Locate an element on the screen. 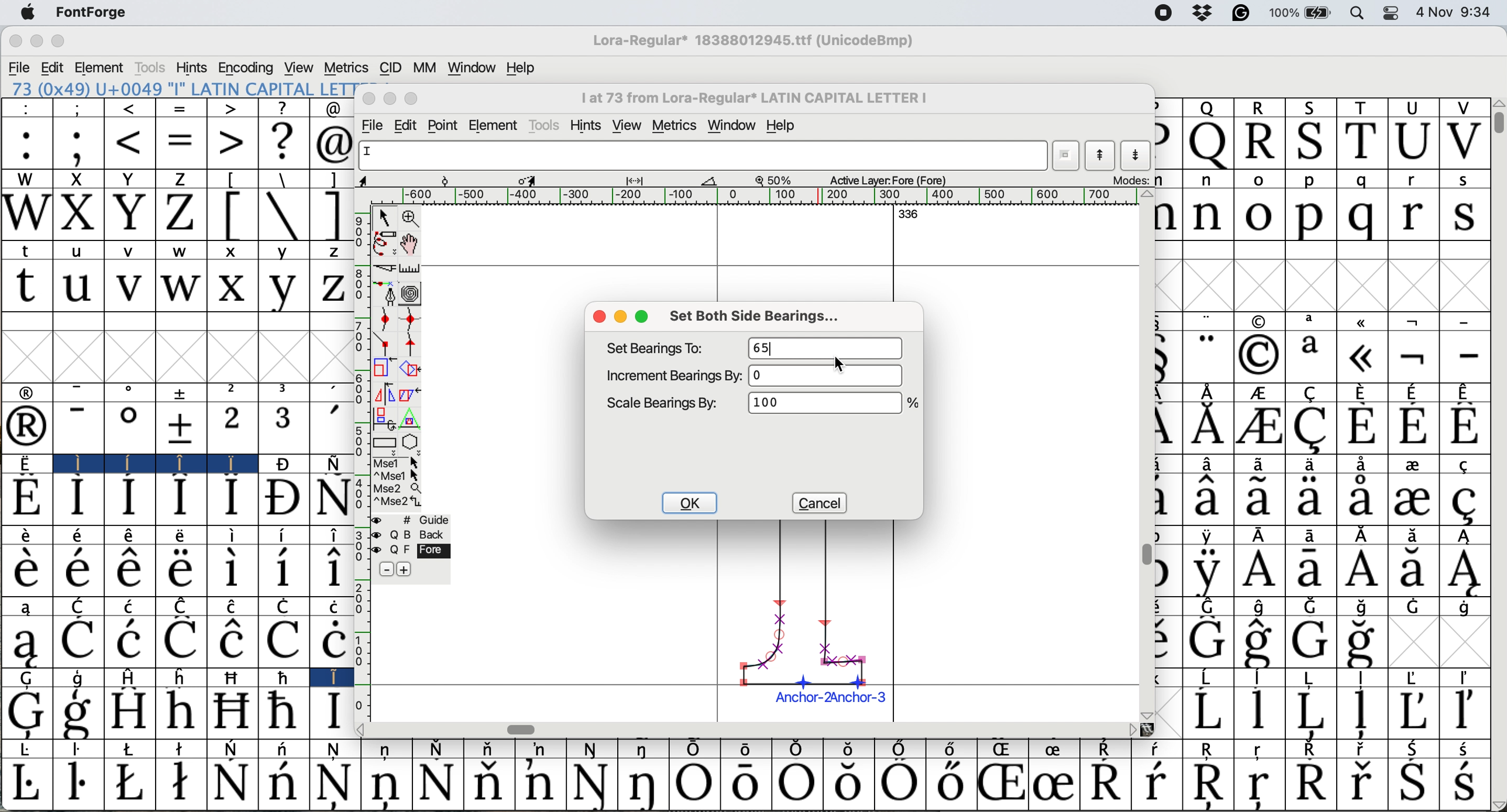 The height and width of the screenshot is (812, 1507). g is located at coordinates (80, 678).